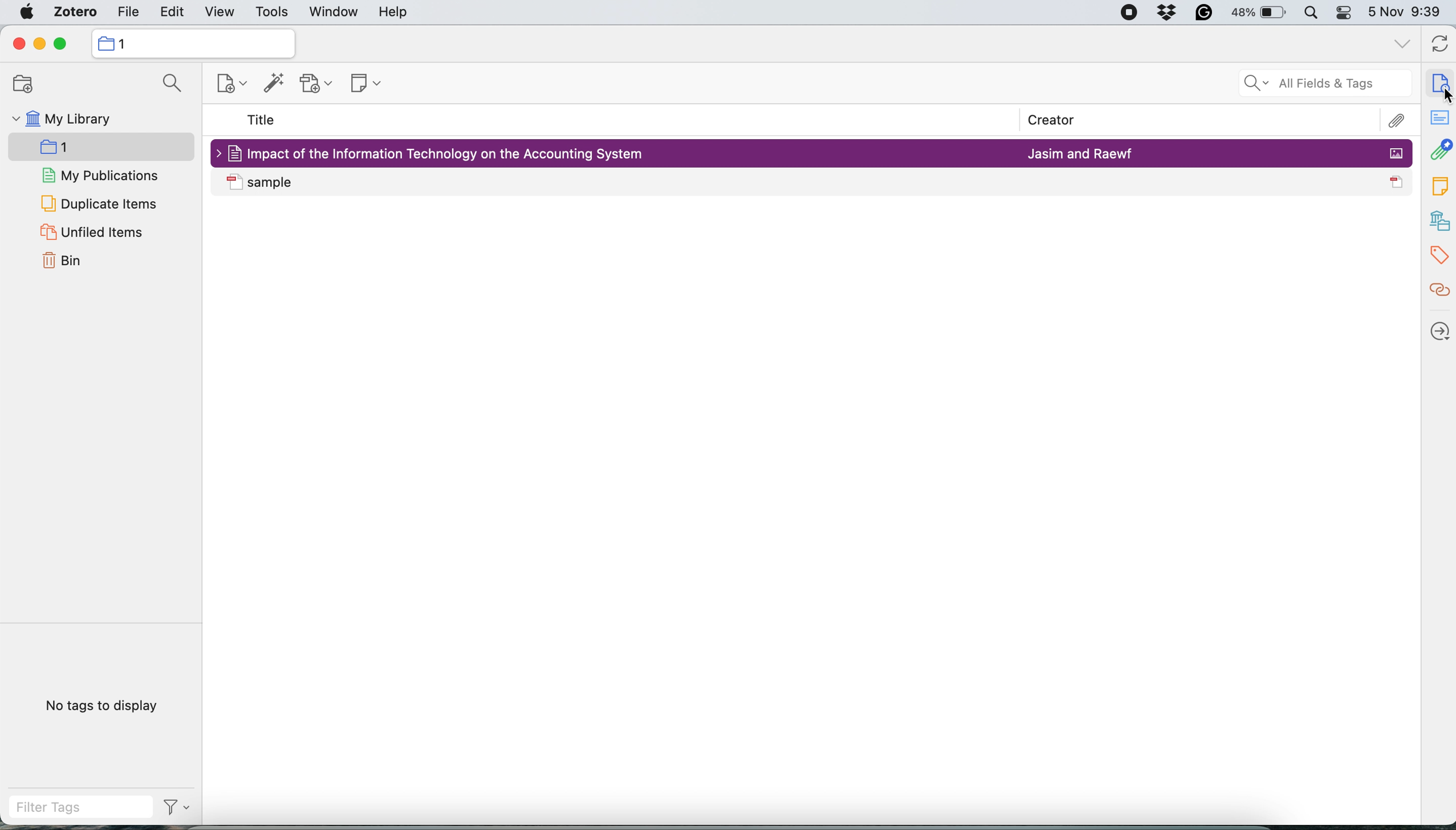 The height and width of the screenshot is (830, 1456). Describe the element at coordinates (18, 46) in the screenshot. I see `close` at that location.